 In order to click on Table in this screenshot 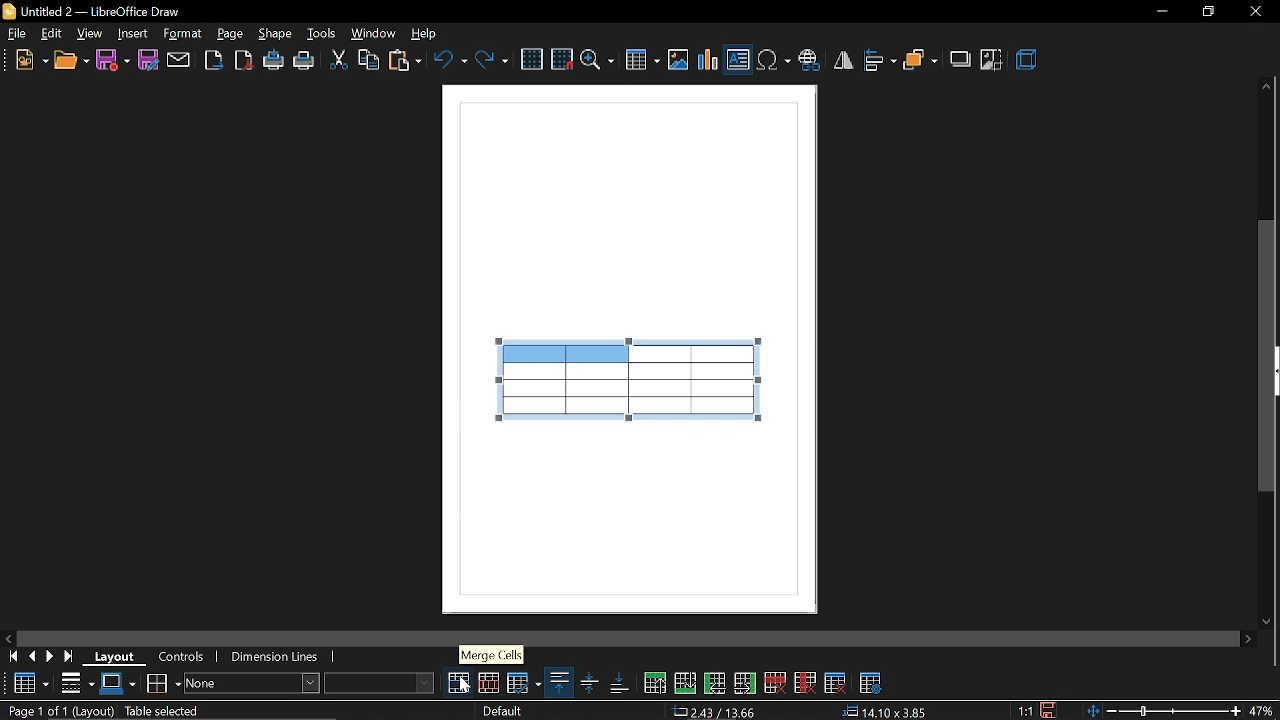, I will do `click(29, 682)`.